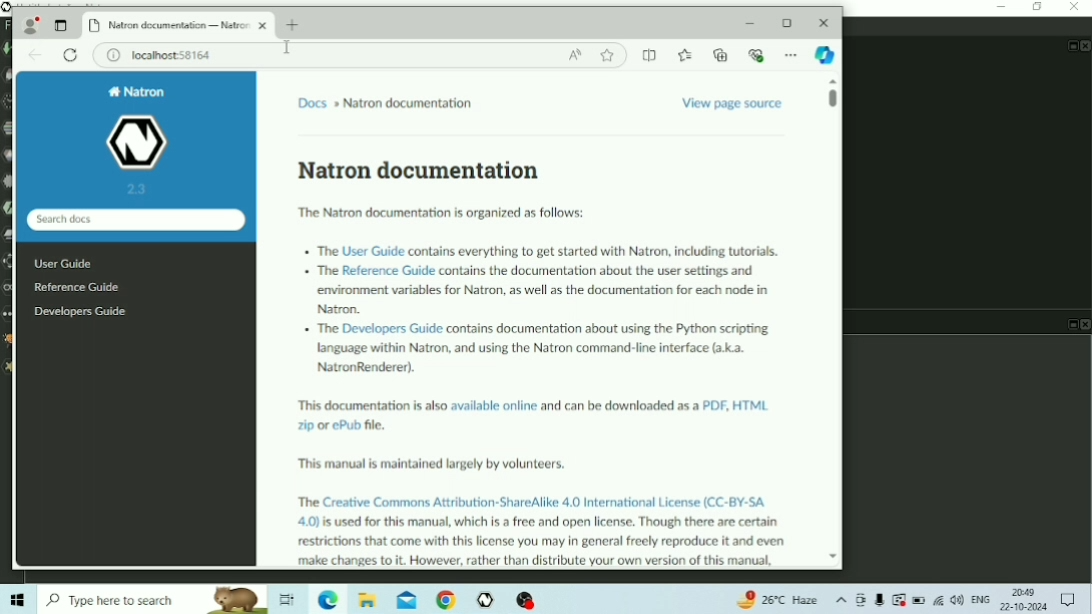 The image size is (1092, 614). I want to click on Close Pane, so click(1085, 324).